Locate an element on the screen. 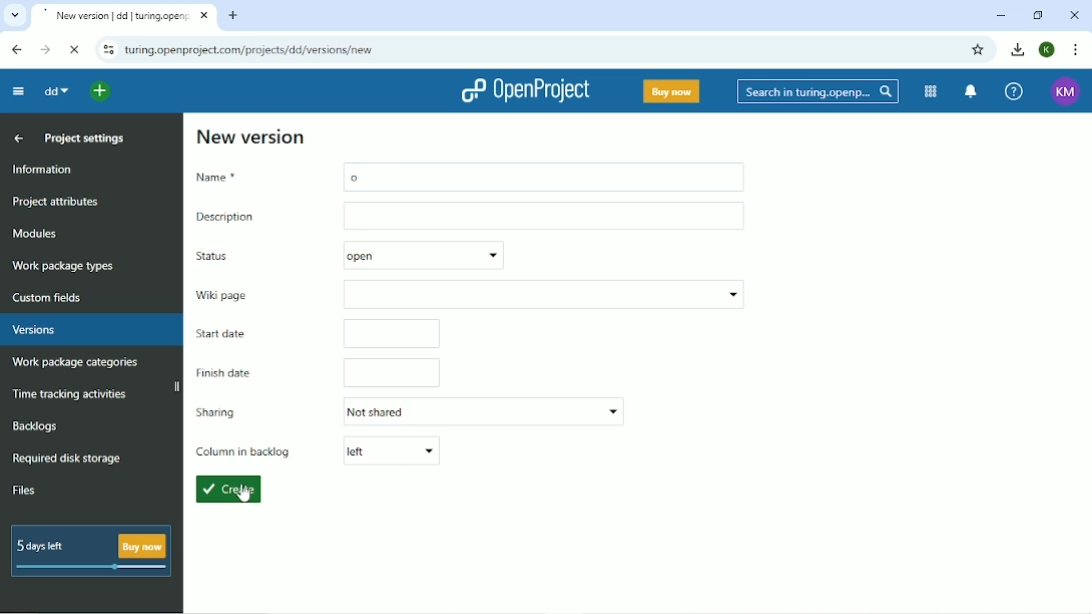  View site information is located at coordinates (108, 49).